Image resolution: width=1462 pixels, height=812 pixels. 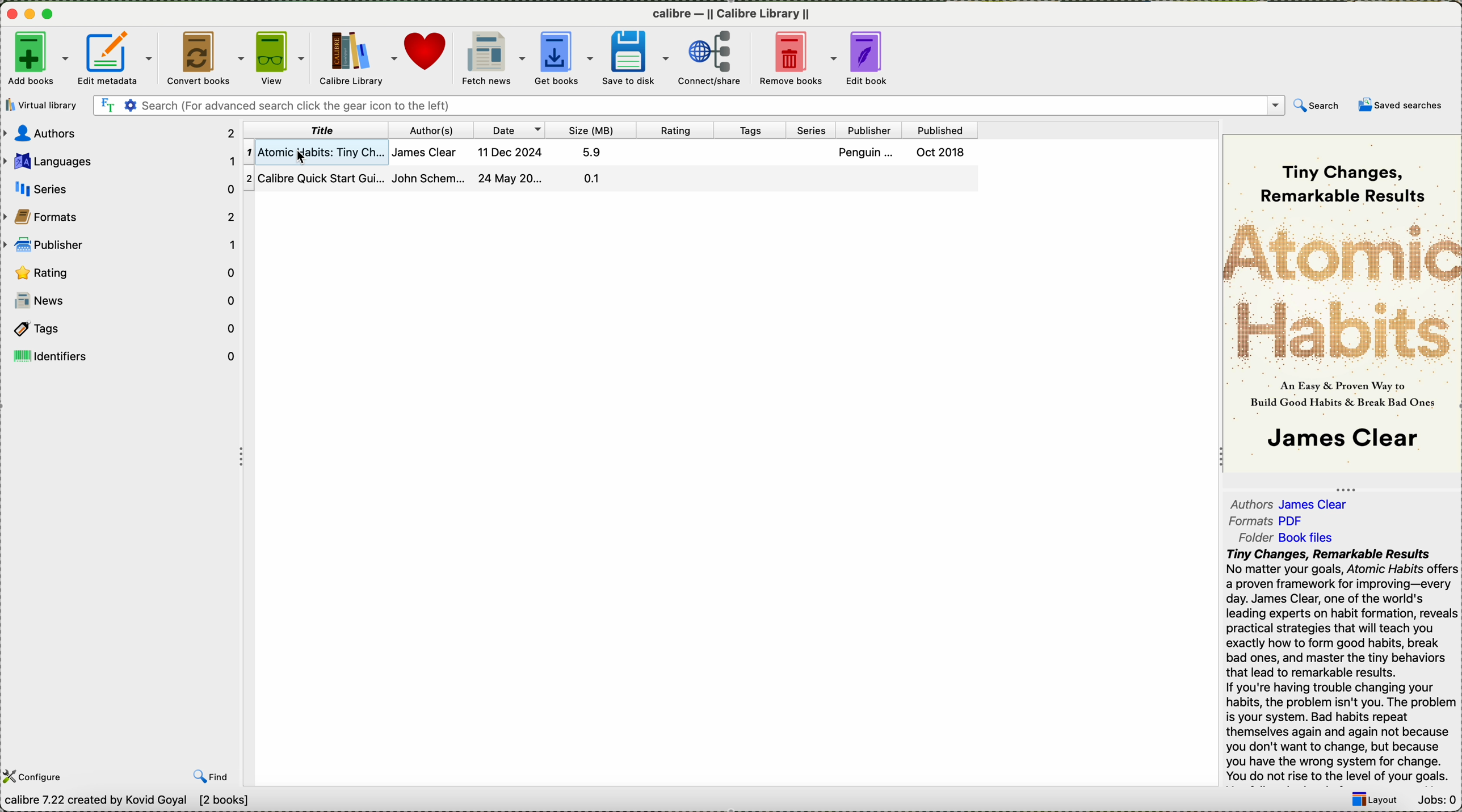 I want to click on rating, so click(x=678, y=131).